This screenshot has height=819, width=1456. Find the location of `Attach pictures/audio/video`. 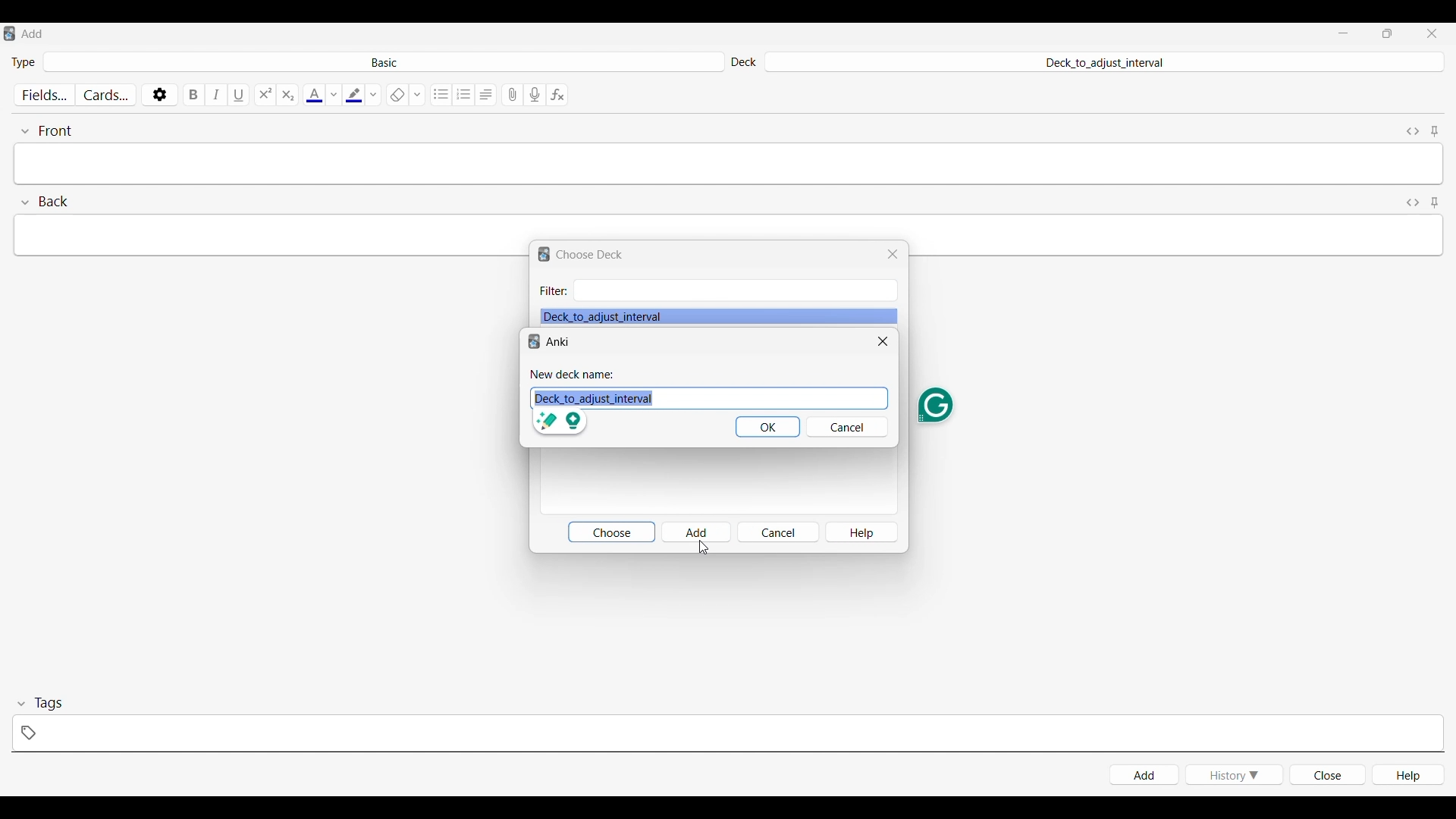

Attach pictures/audio/video is located at coordinates (513, 95).